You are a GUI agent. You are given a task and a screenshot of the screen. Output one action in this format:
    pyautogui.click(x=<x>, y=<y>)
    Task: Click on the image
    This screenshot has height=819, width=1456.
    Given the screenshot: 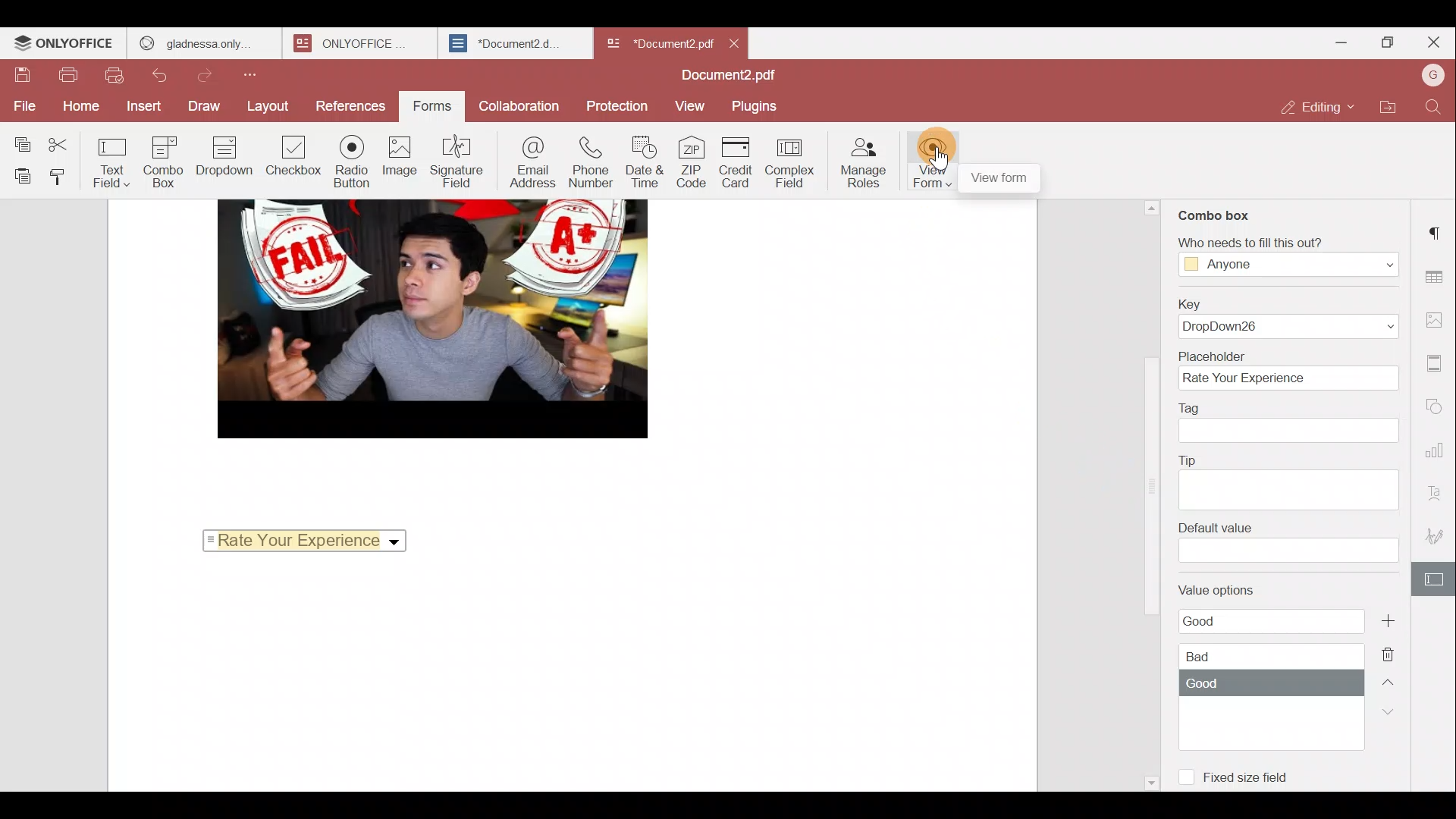 What is the action you would take?
    pyautogui.click(x=431, y=318)
    